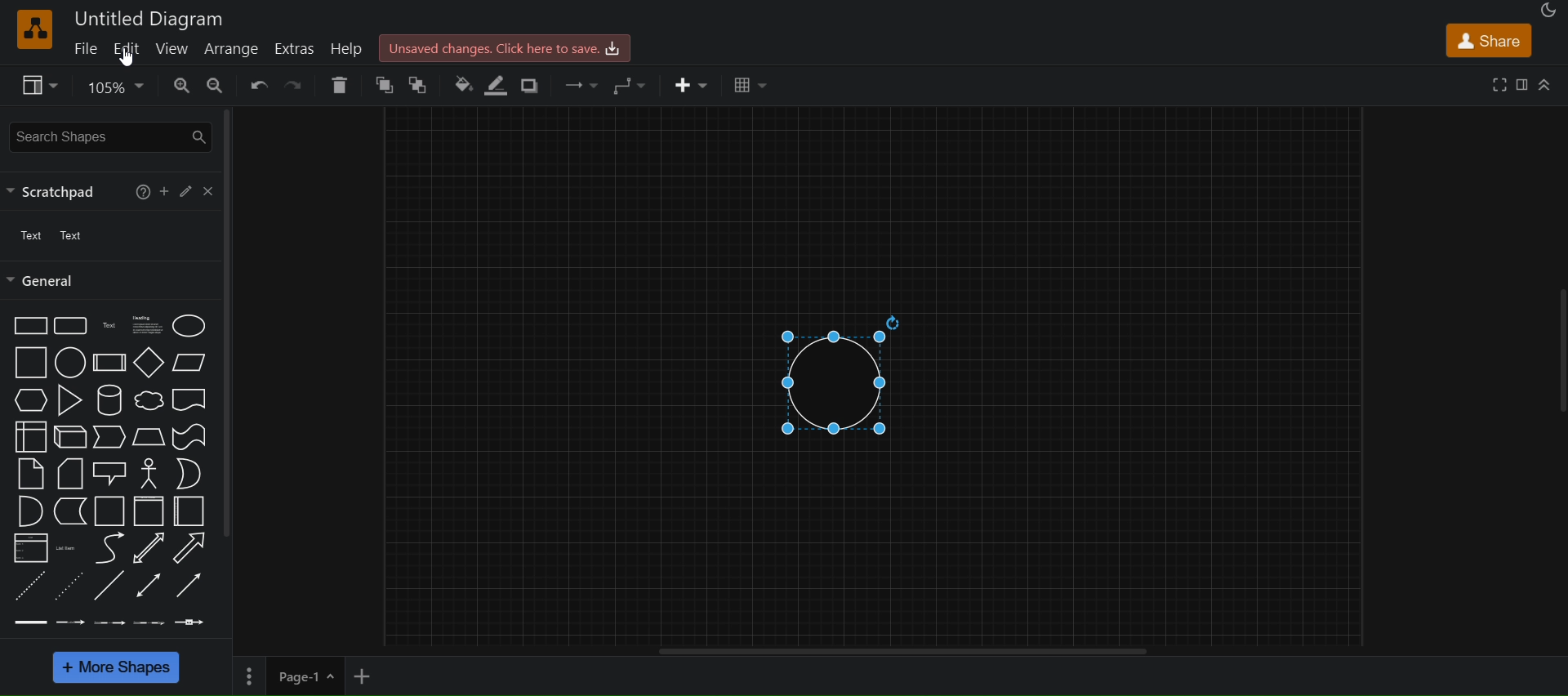 The width and height of the screenshot is (1568, 696). Describe the element at coordinates (28, 586) in the screenshot. I see `dashed line` at that location.